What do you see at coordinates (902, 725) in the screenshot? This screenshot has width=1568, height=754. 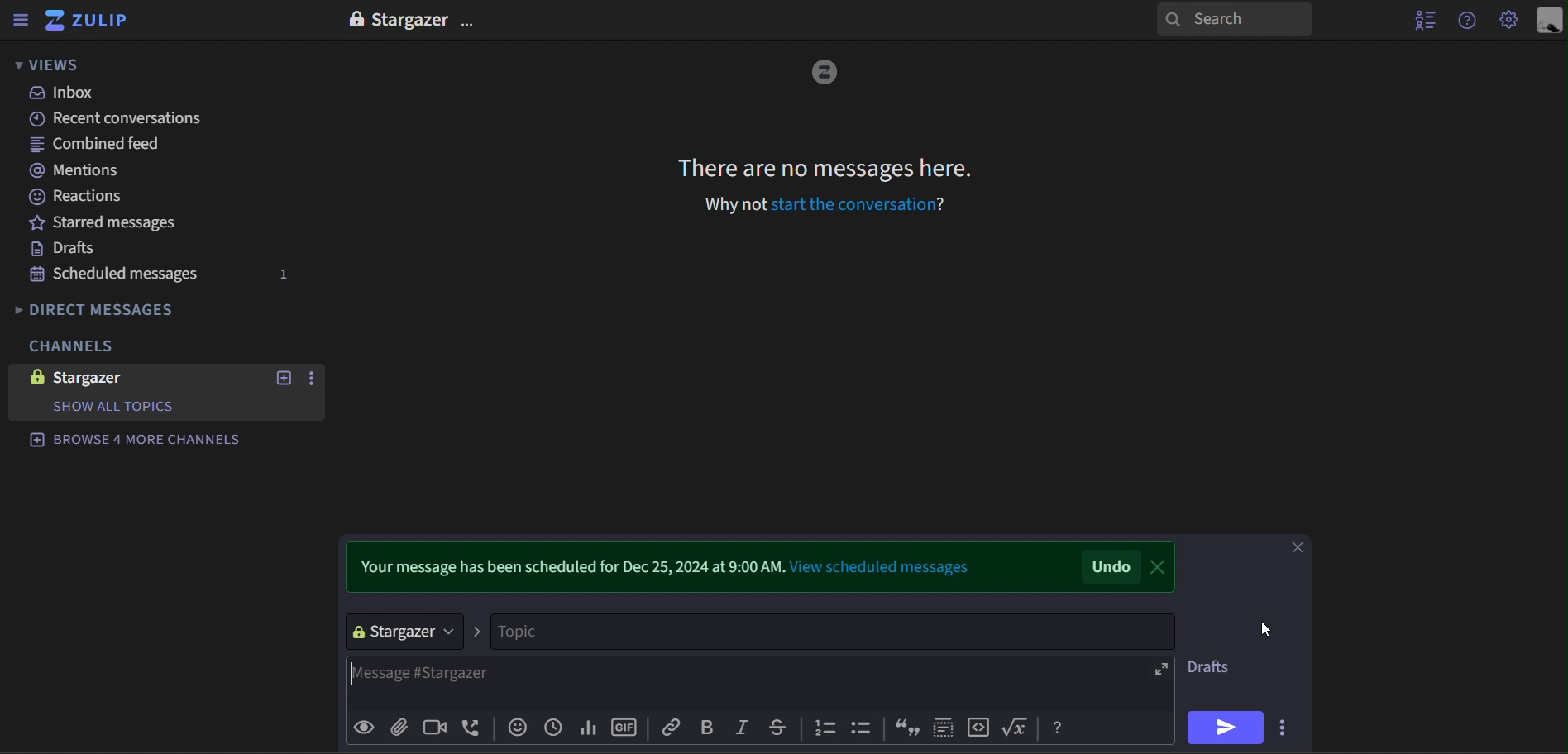 I see `inverted commas` at bounding box center [902, 725].